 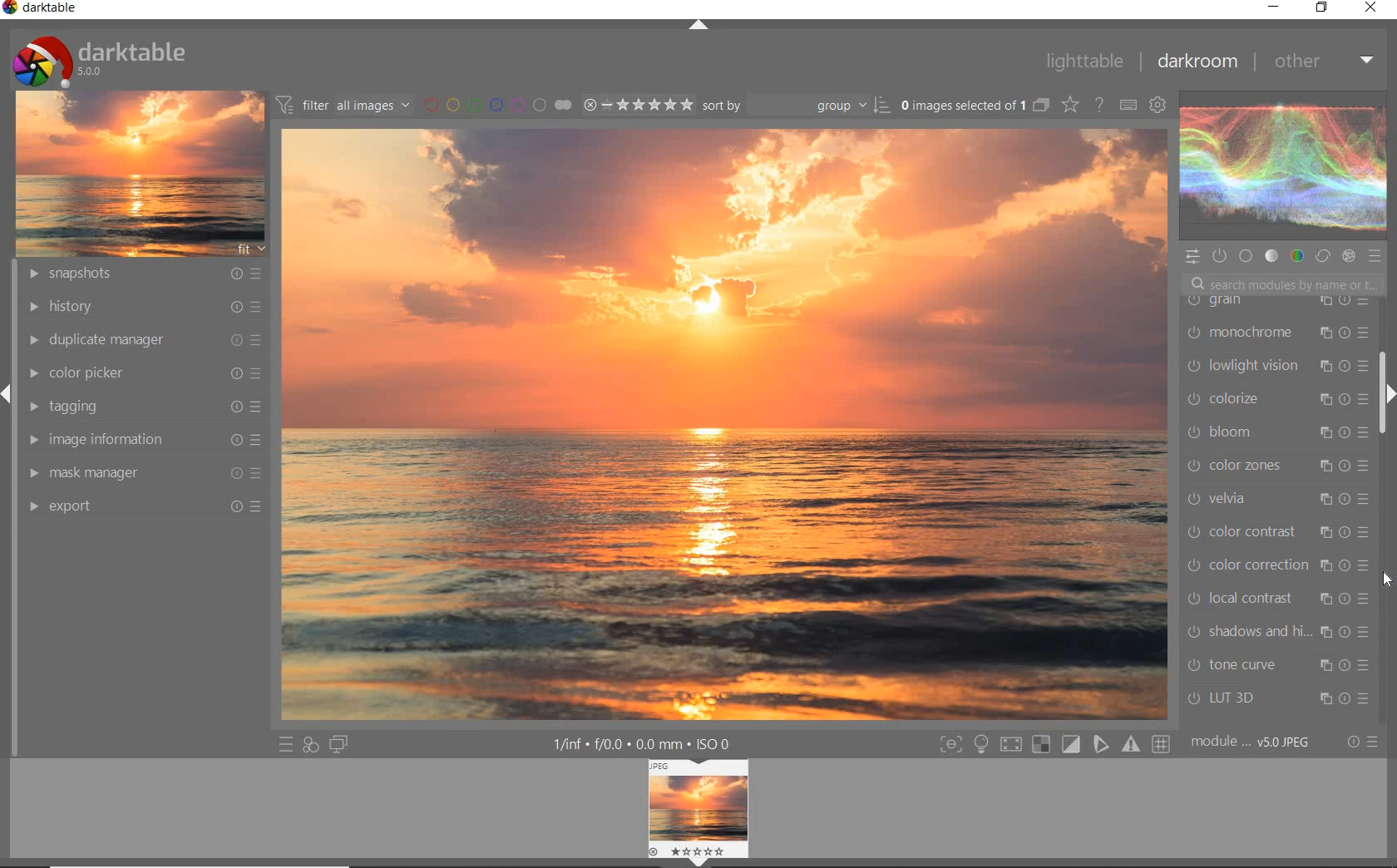 I want to click on MASK MANAGER, so click(x=143, y=472).